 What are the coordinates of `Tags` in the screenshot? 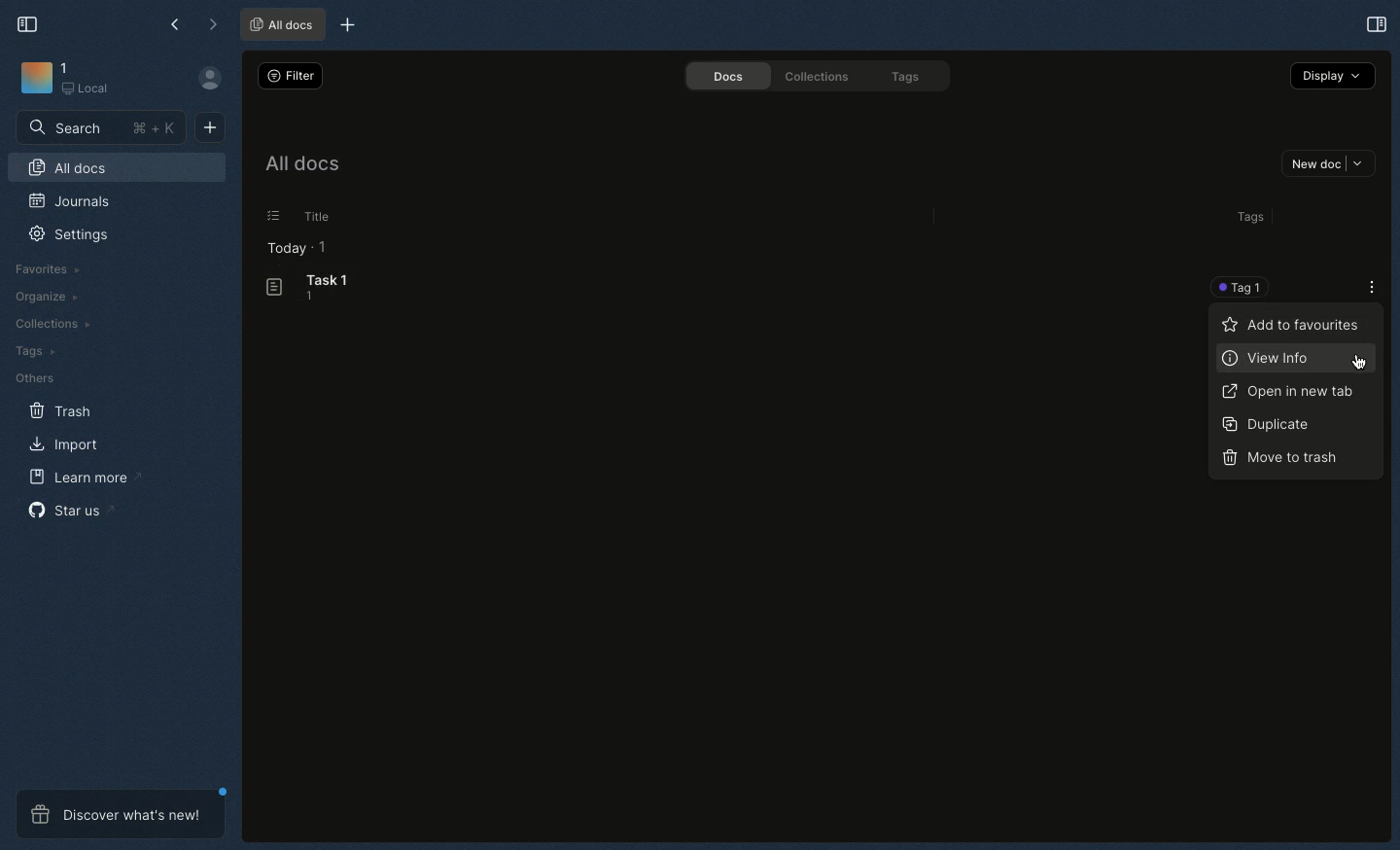 It's located at (1252, 218).